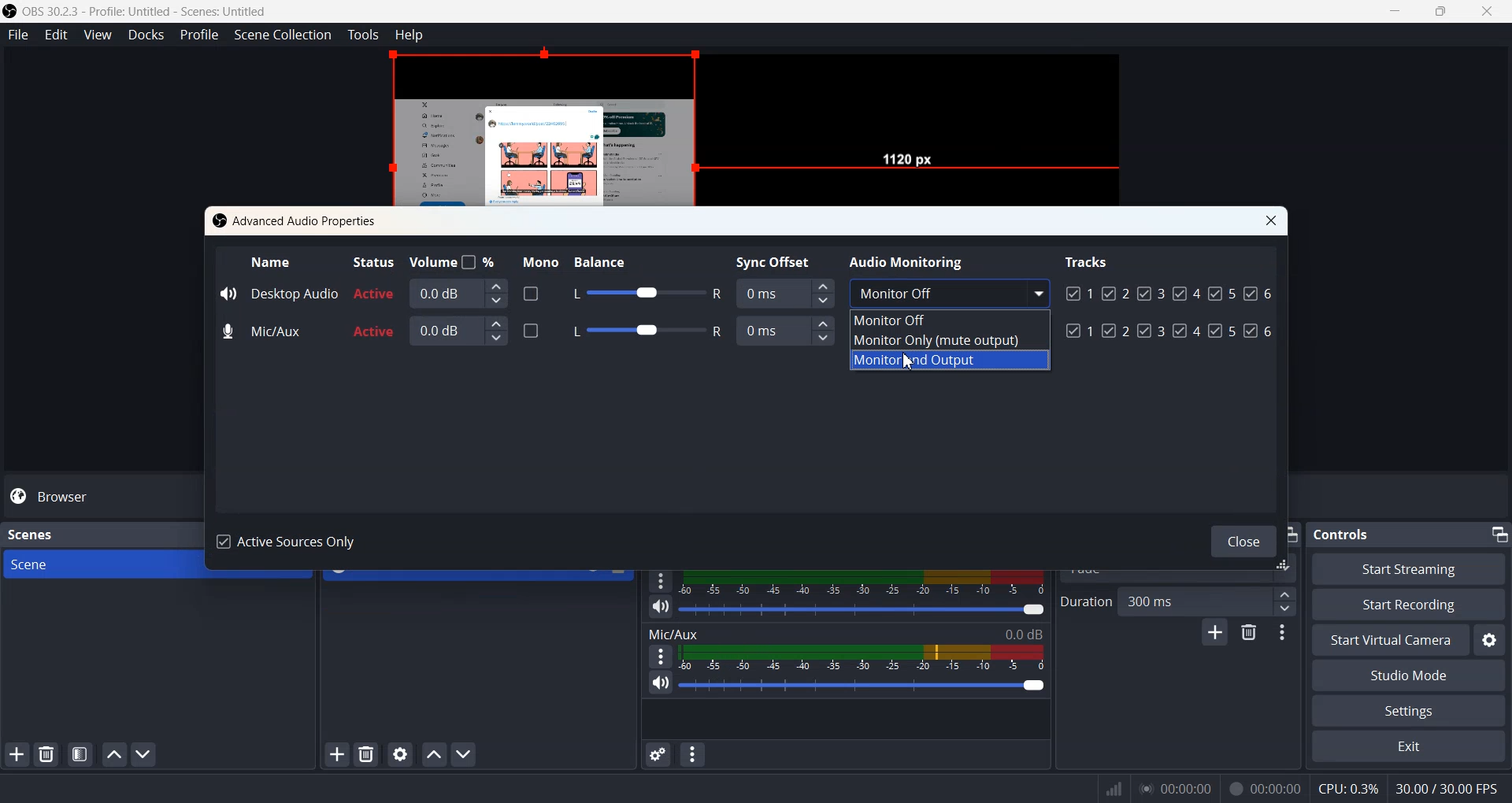 This screenshot has height=803, width=1512. What do you see at coordinates (787, 331) in the screenshot?
I see `Sync Offset ` at bounding box center [787, 331].